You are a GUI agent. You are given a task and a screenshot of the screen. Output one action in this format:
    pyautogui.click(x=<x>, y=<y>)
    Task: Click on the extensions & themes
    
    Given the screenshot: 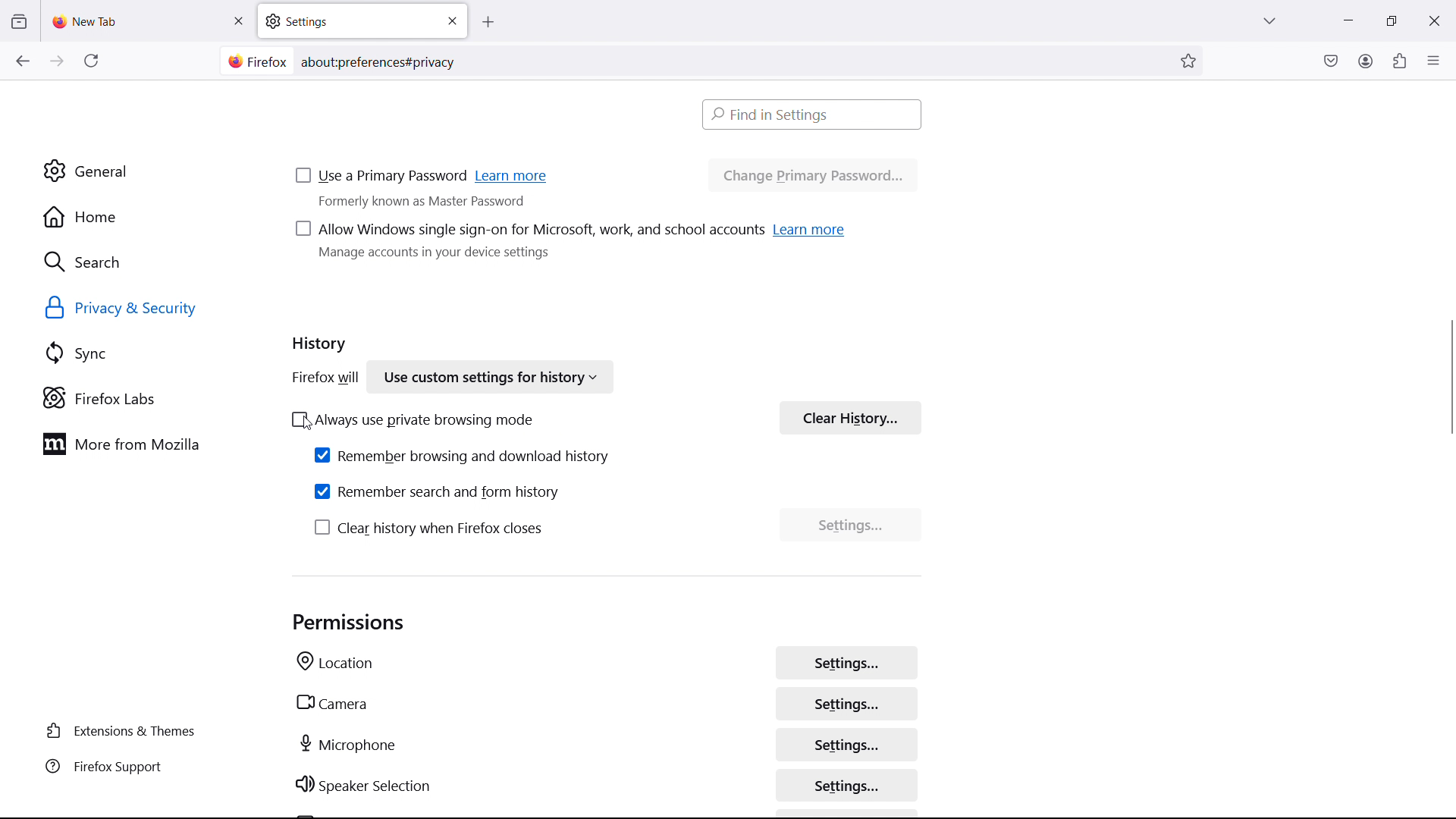 What is the action you would take?
    pyautogui.click(x=124, y=731)
    